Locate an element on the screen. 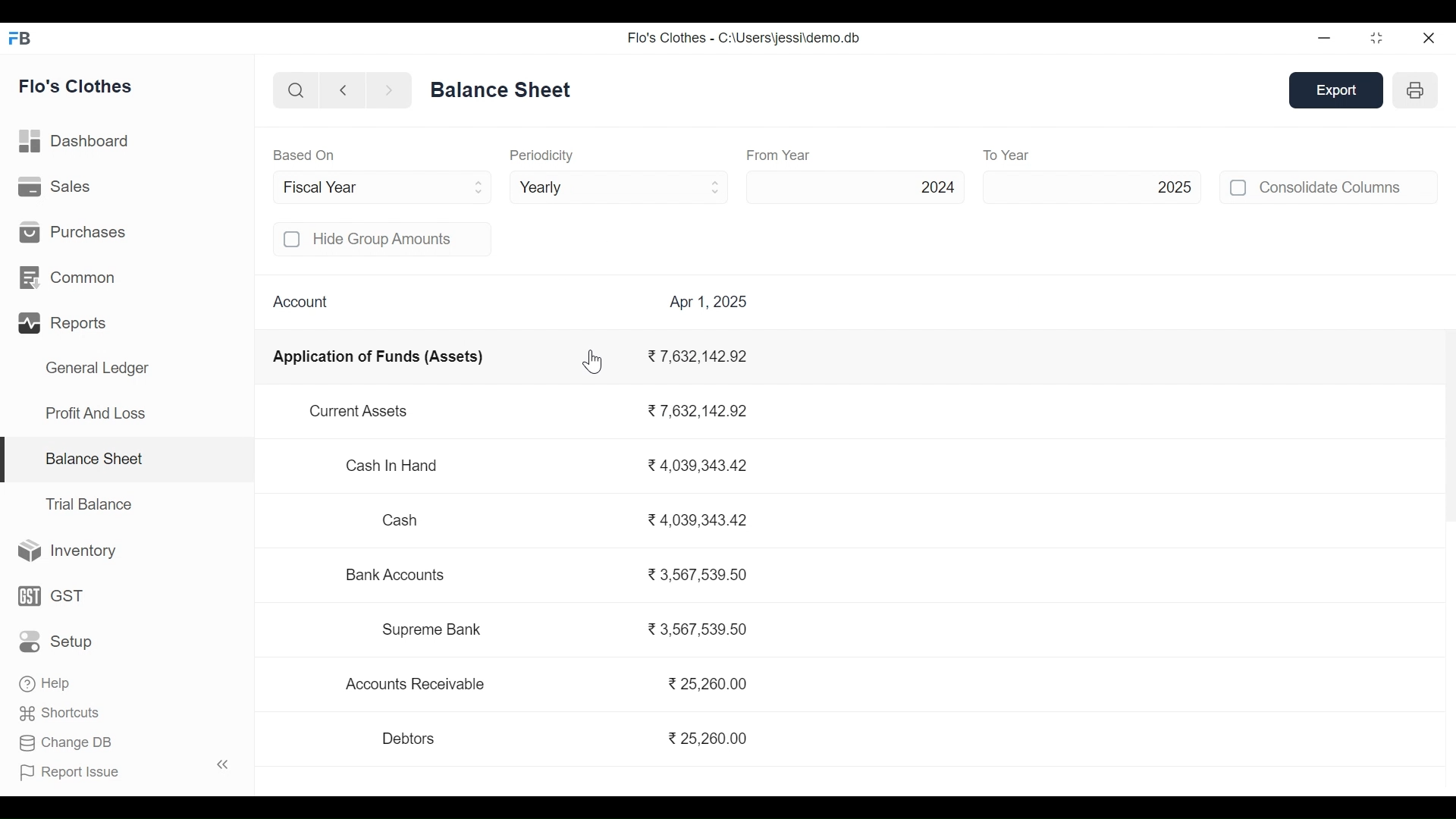 The height and width of the screenshot is (819, 1456). sales is located at coordinates (57, 187).